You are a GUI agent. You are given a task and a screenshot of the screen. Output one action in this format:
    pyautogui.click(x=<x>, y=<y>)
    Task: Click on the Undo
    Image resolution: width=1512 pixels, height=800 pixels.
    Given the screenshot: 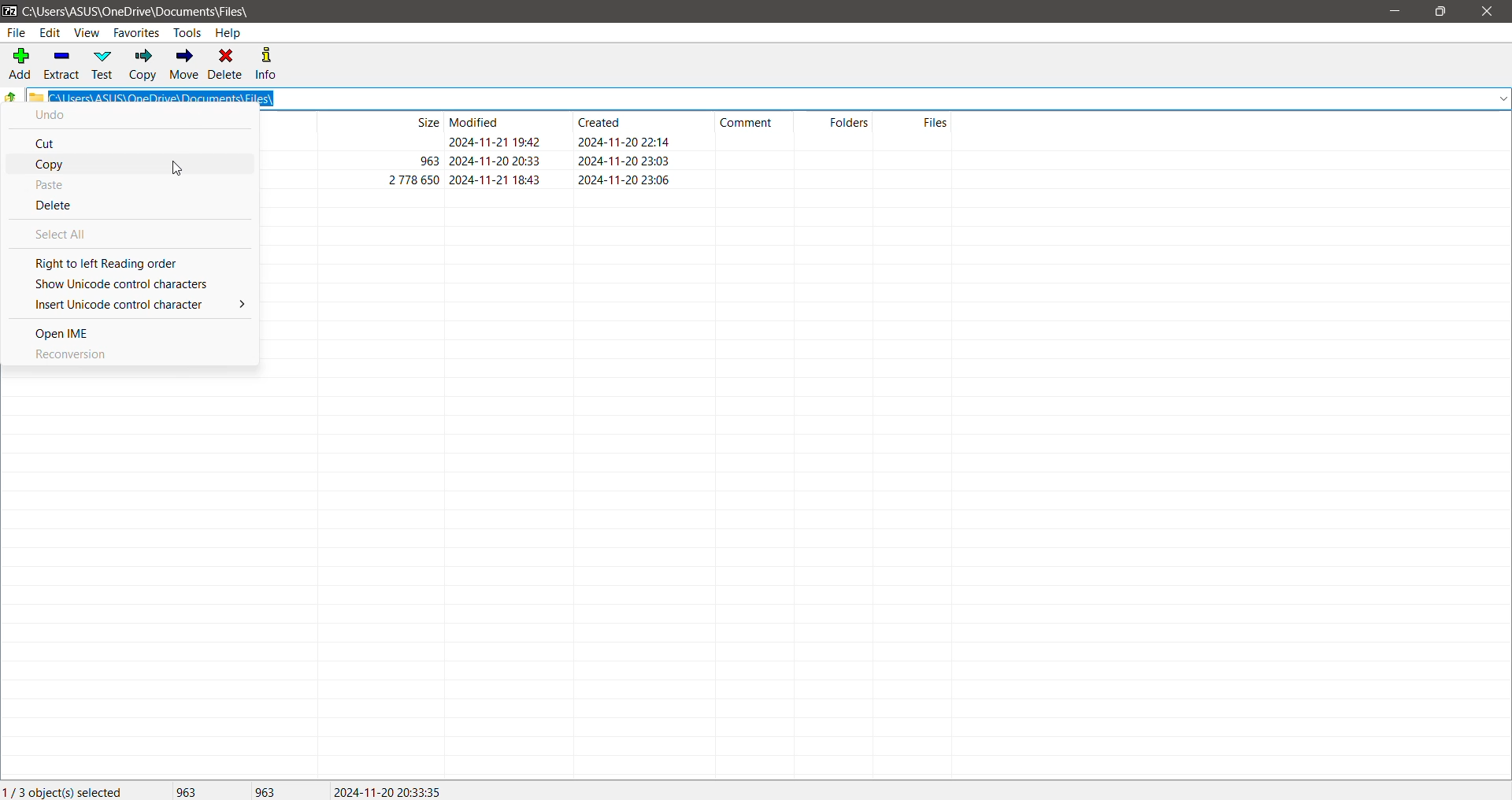 What is the action you would take?
    pyautogui.click(x=50, y=116)
    